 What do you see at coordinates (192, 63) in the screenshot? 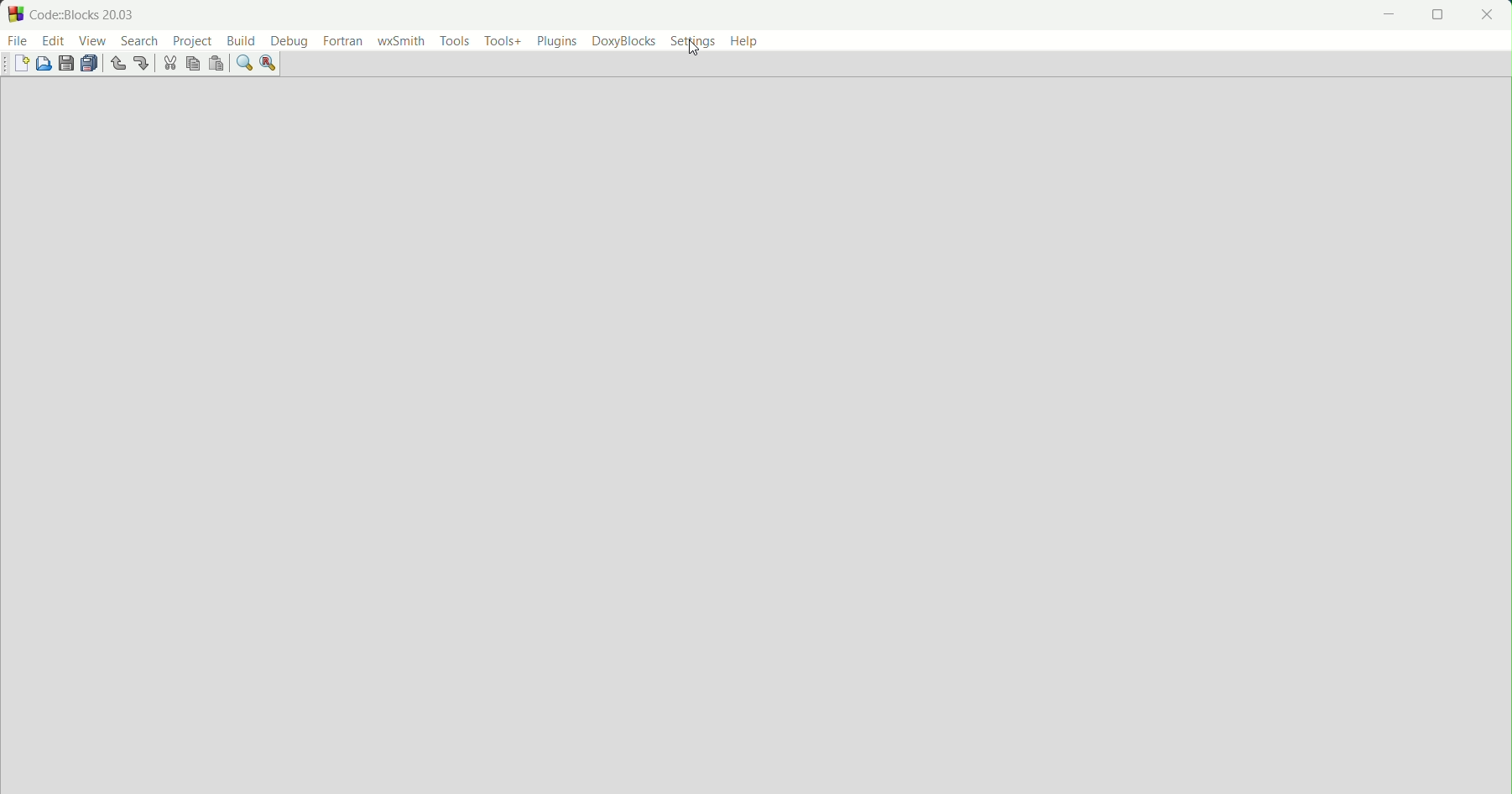
I see `copy` at bounding box center [192, 63].